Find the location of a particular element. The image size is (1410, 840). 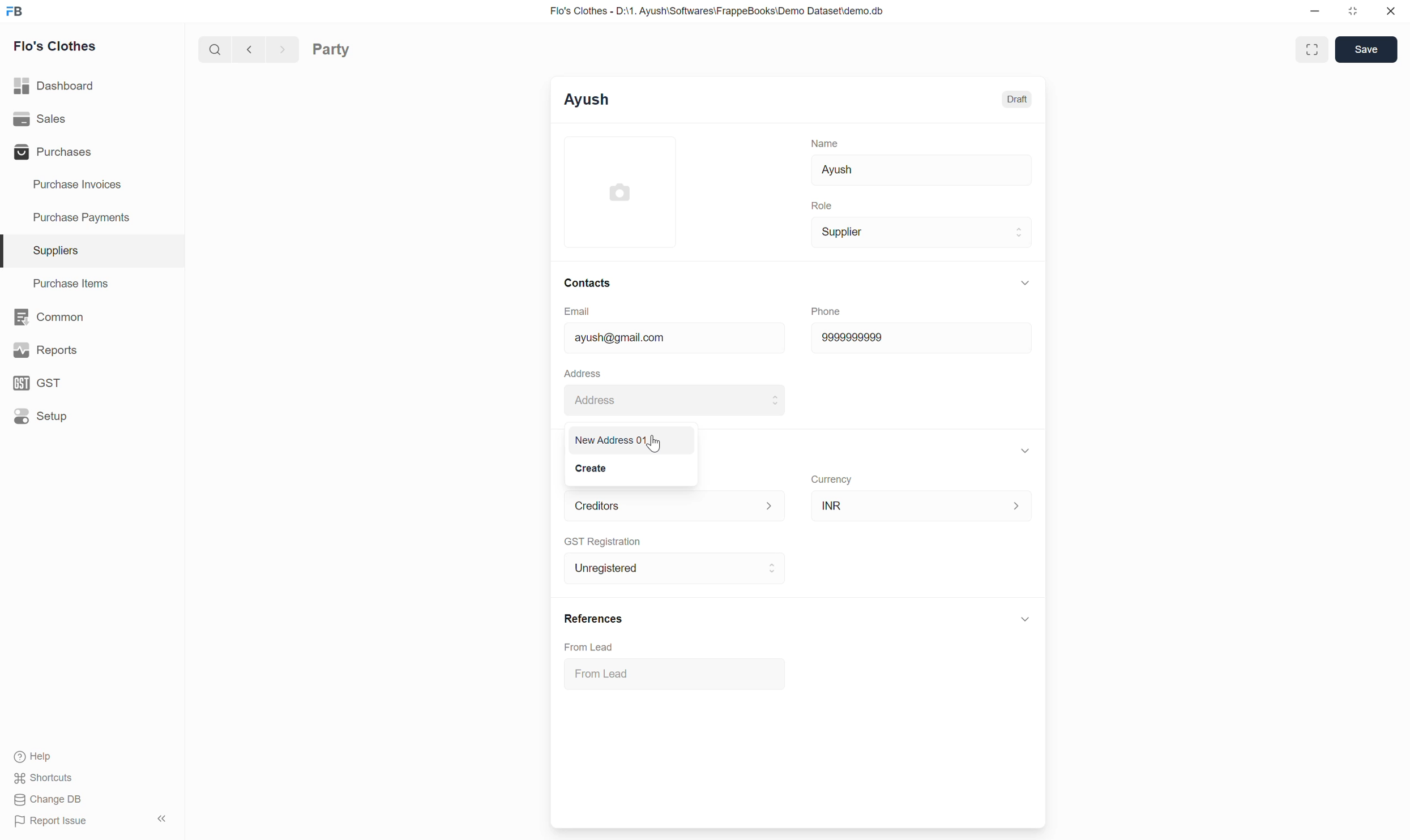

Change dimension is located at coordinates (1353, 11).